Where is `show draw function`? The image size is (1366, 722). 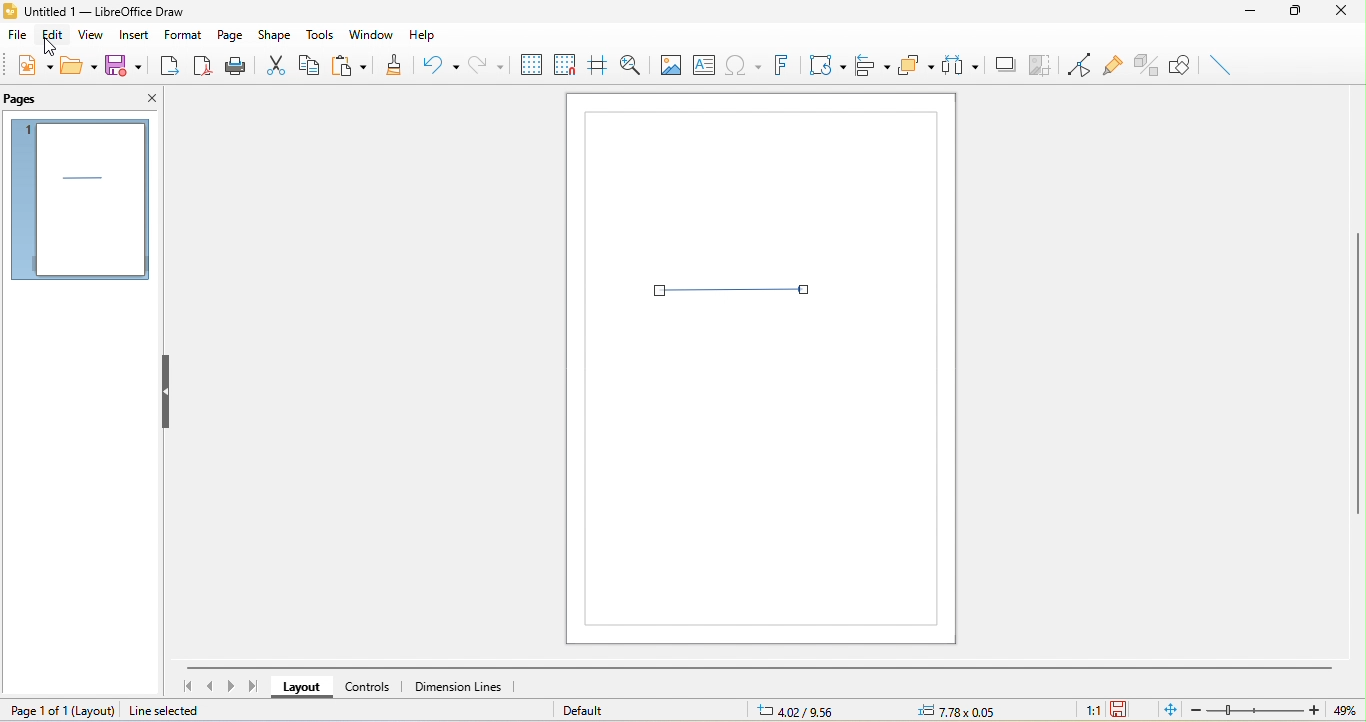 show draw function is located at coordinates (1181, 66).